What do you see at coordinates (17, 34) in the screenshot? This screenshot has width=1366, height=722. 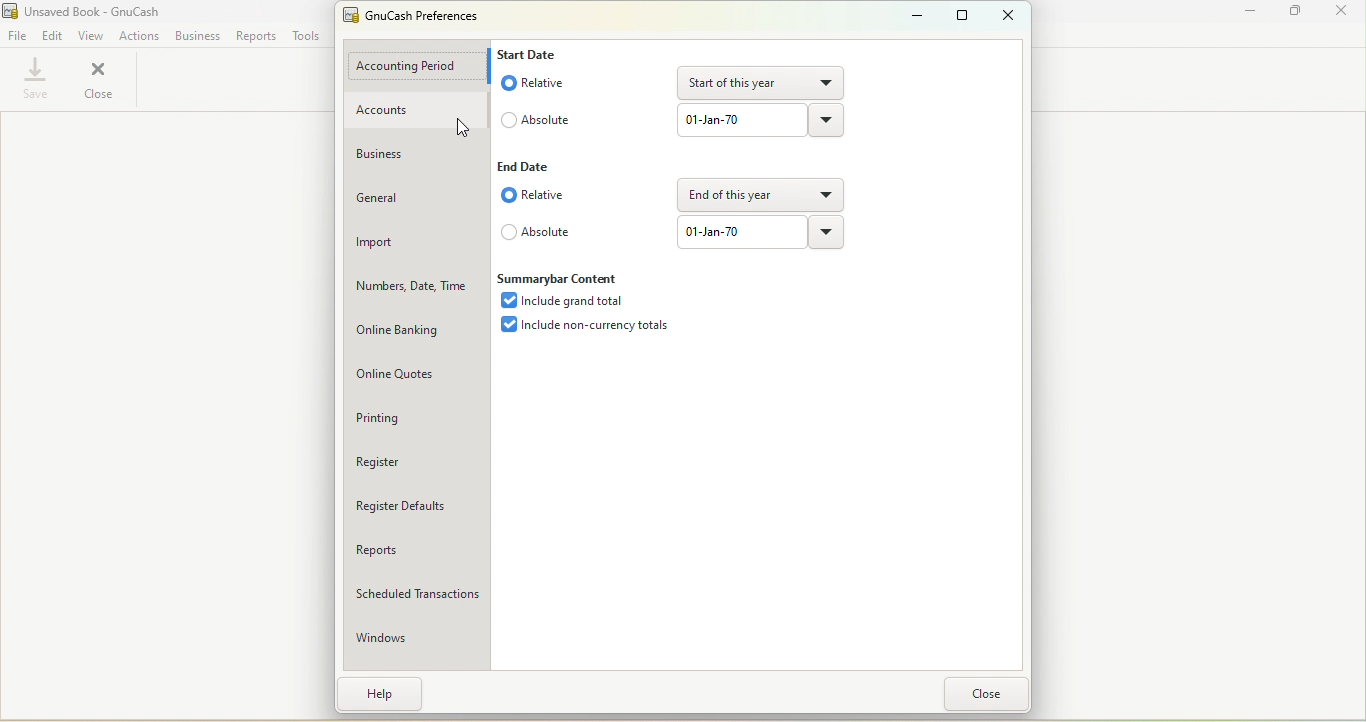 I see `File` at bounding box center [17, 34].